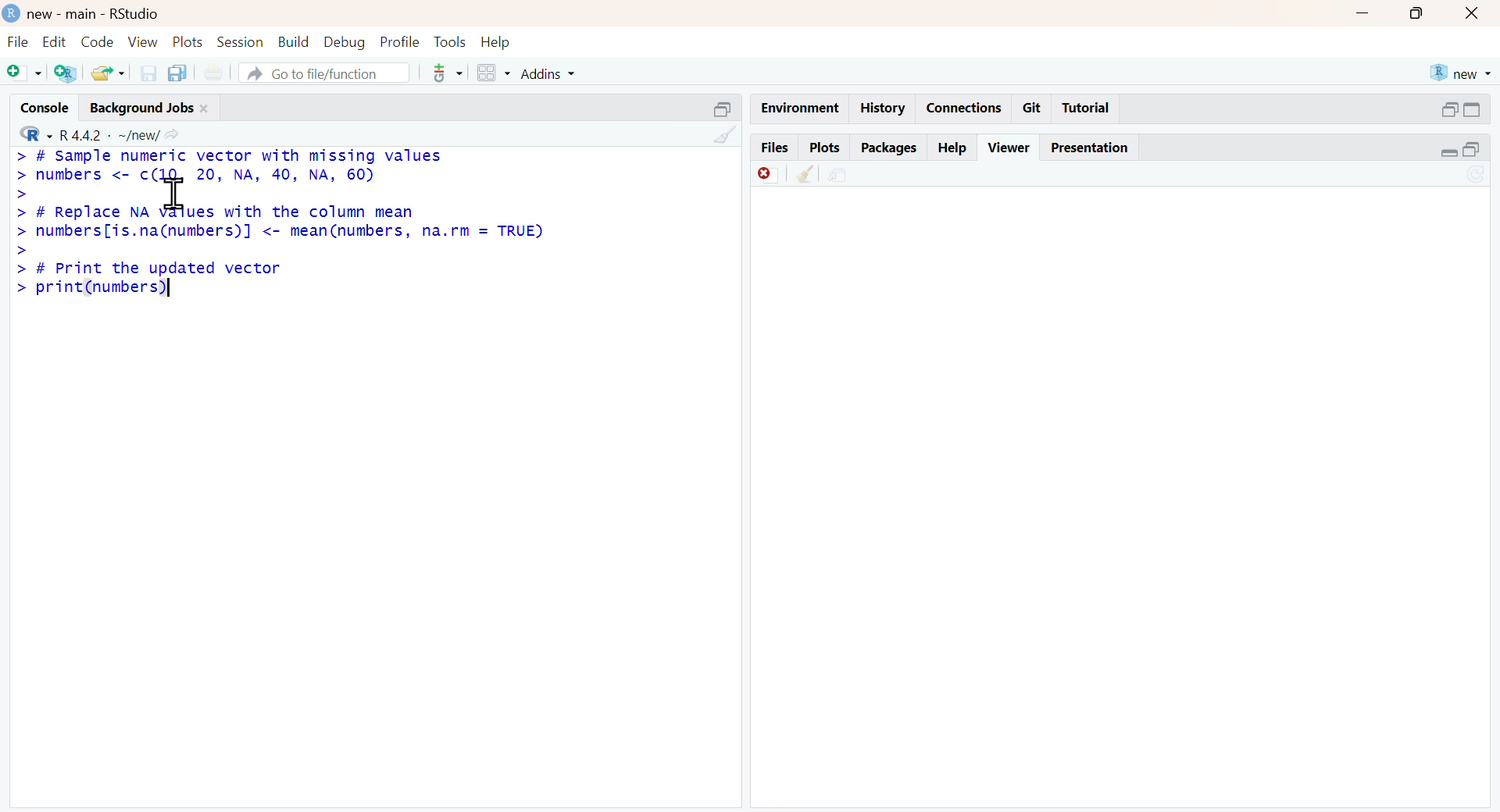  Describe the element at coordinates (143, 43) in the screenshot. I see `view` at that location.